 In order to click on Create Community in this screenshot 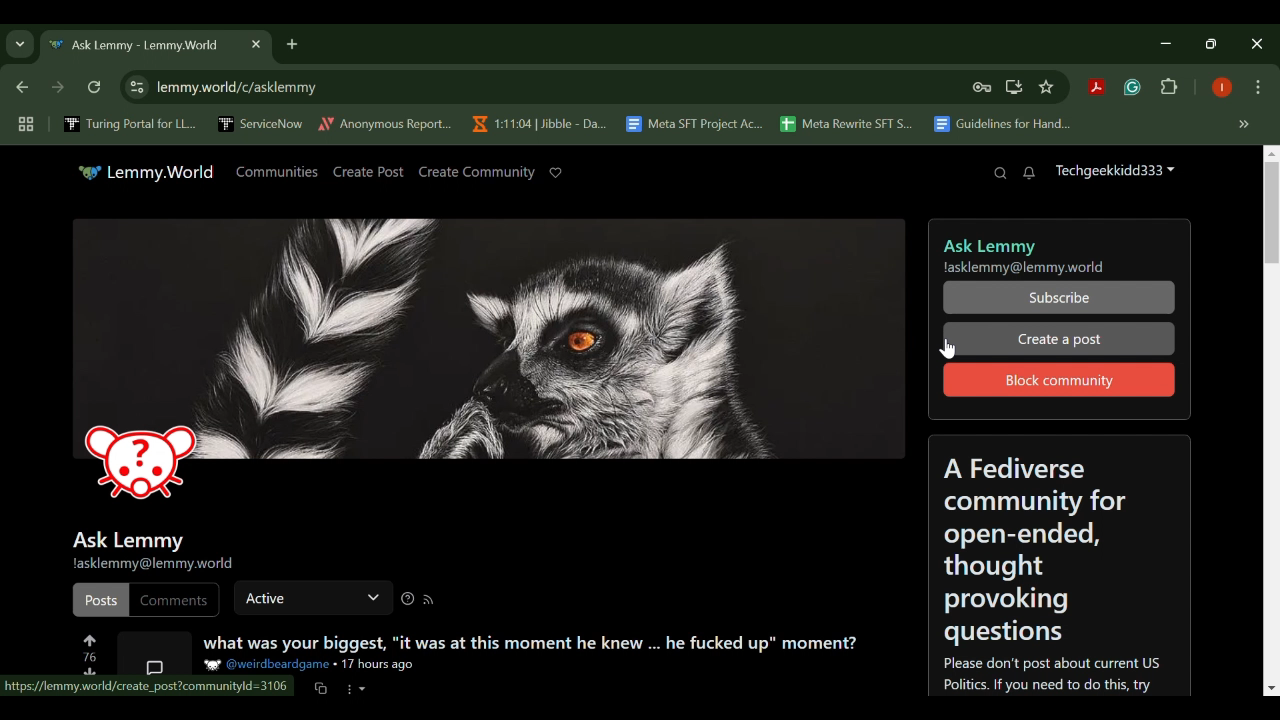, I will do `click(475, 172)`.